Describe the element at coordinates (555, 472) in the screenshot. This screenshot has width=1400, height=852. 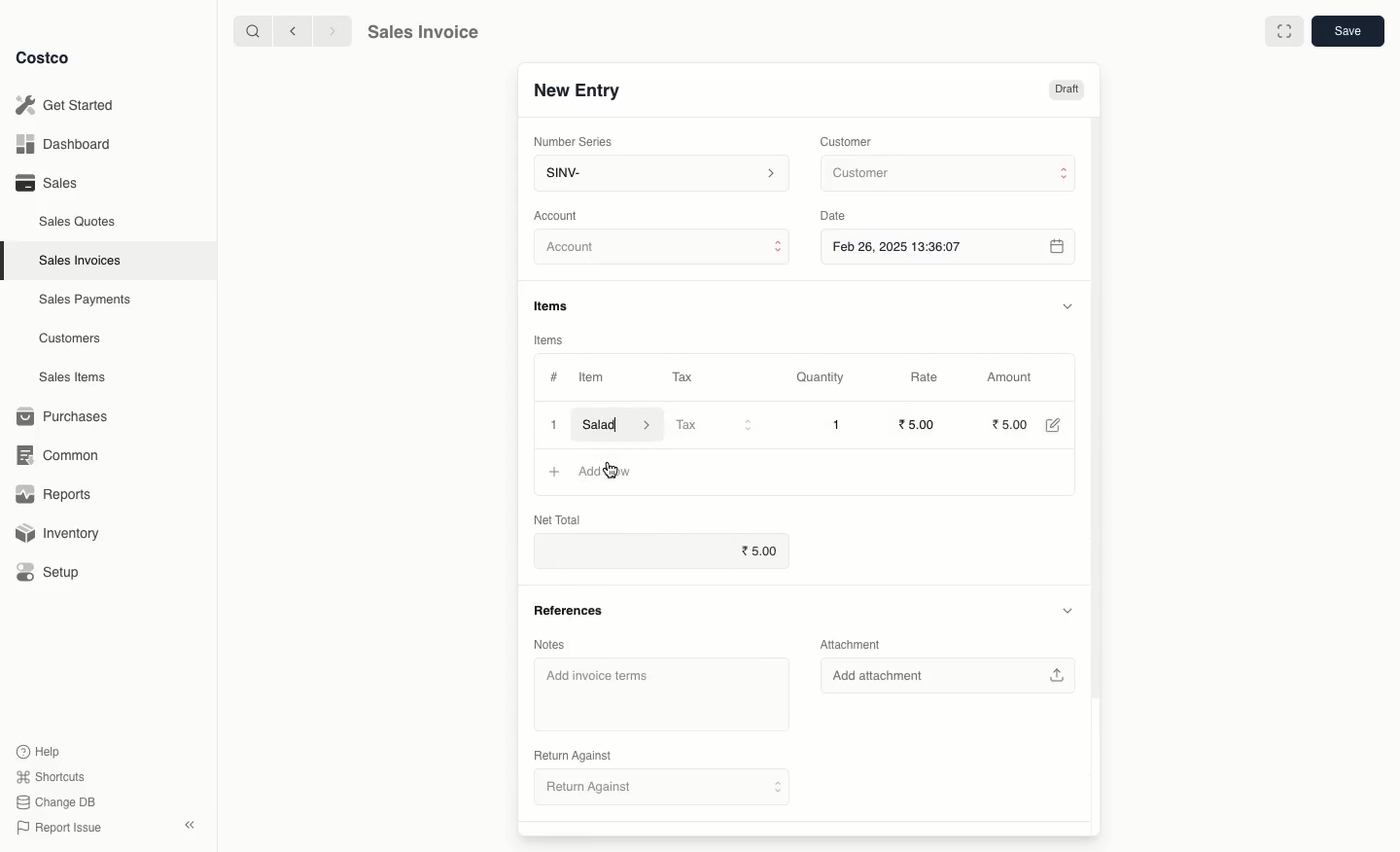
I see `Add` at that location.